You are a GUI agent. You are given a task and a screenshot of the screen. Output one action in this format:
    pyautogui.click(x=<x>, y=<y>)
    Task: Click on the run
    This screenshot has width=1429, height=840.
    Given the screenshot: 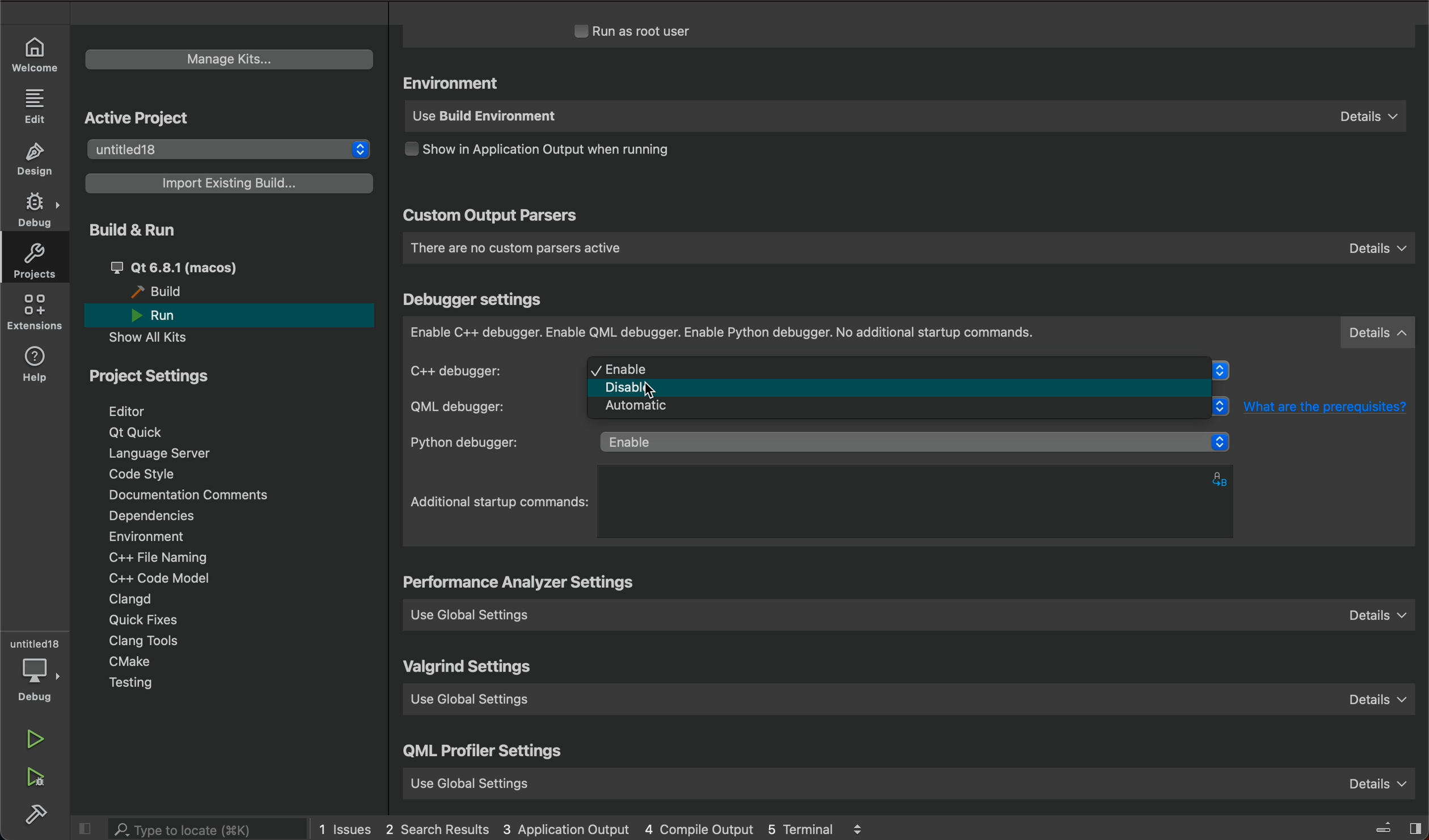 What is the action you would take?
    pyautogui.click(x=166, y=316)
    